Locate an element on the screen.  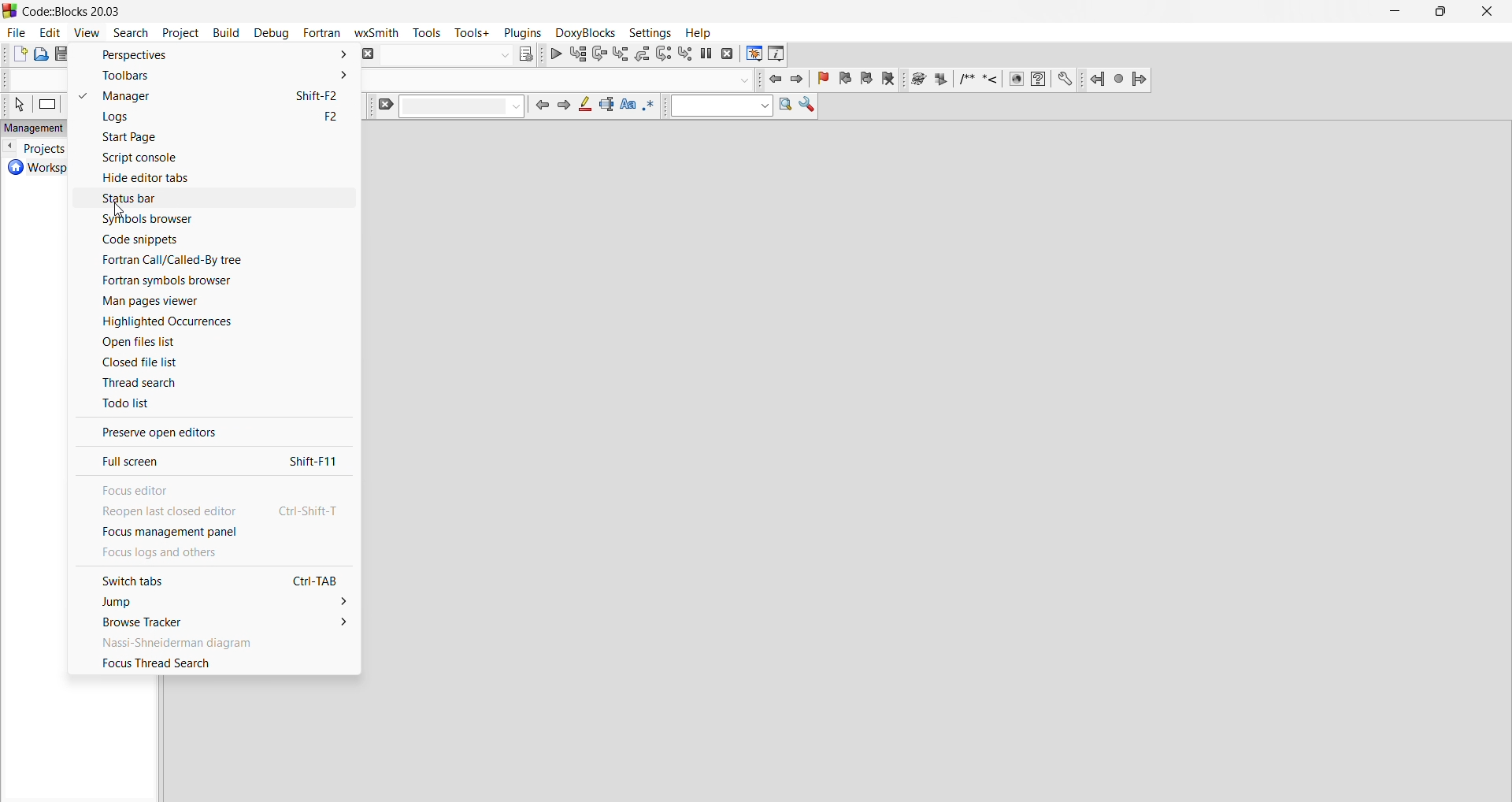
debugging window is located at coordinates (754, 54).